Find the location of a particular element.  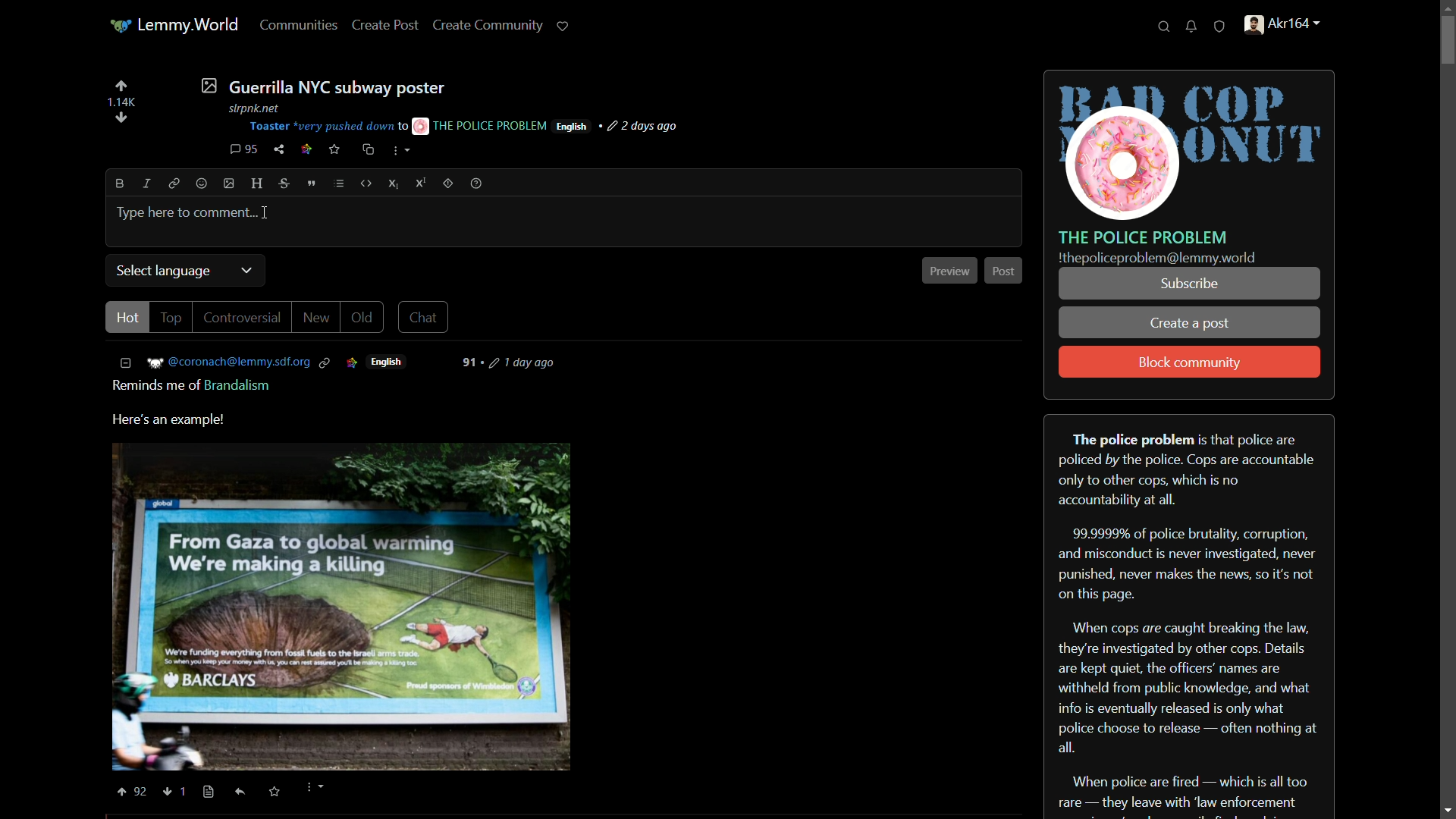

server icon is located at coordinates (1191, 146).